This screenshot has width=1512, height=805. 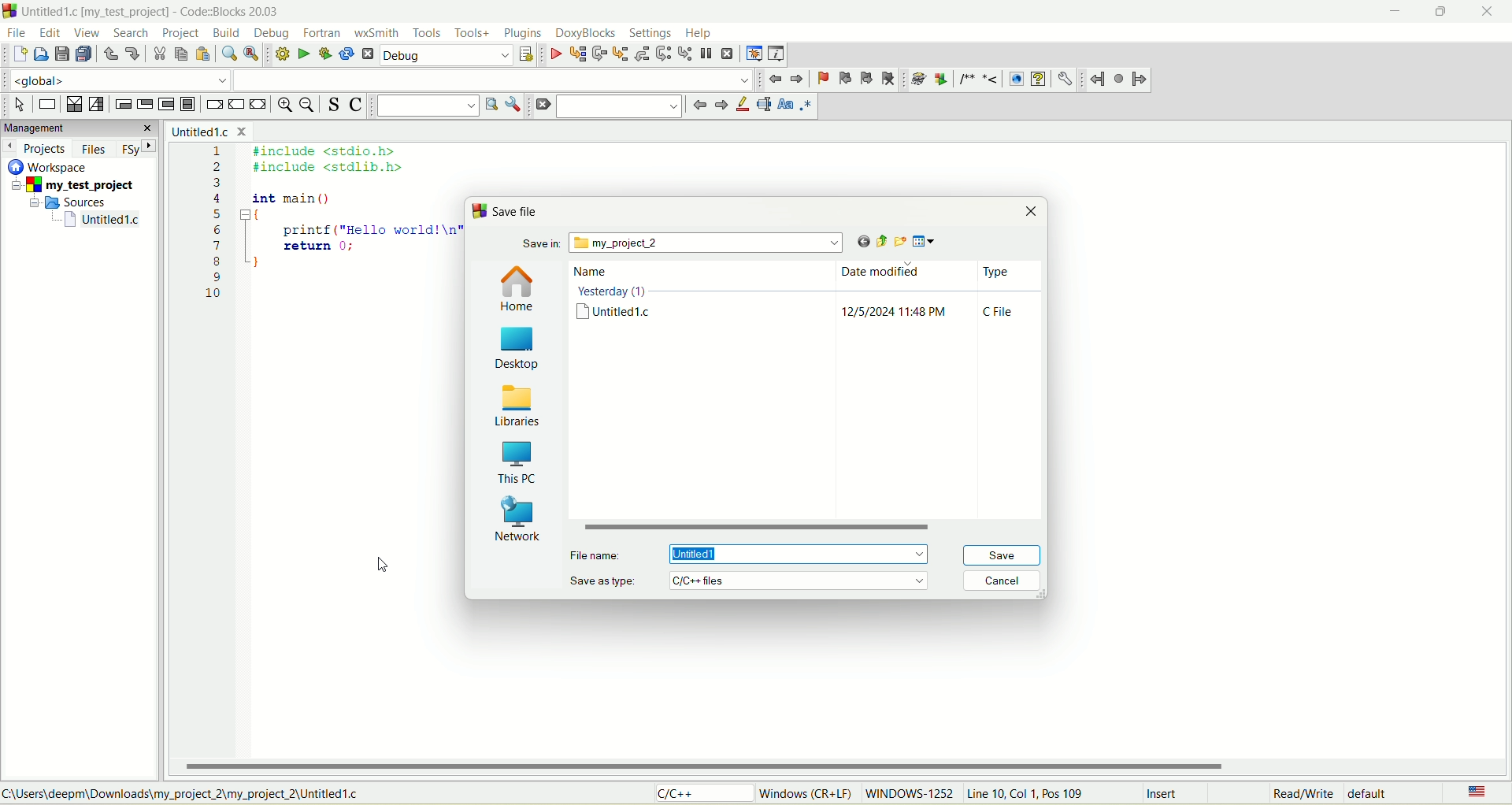 What do you see at coordinates (83, 54) in the screenshot?
I see `save everything` at bounding box center [83, 54].